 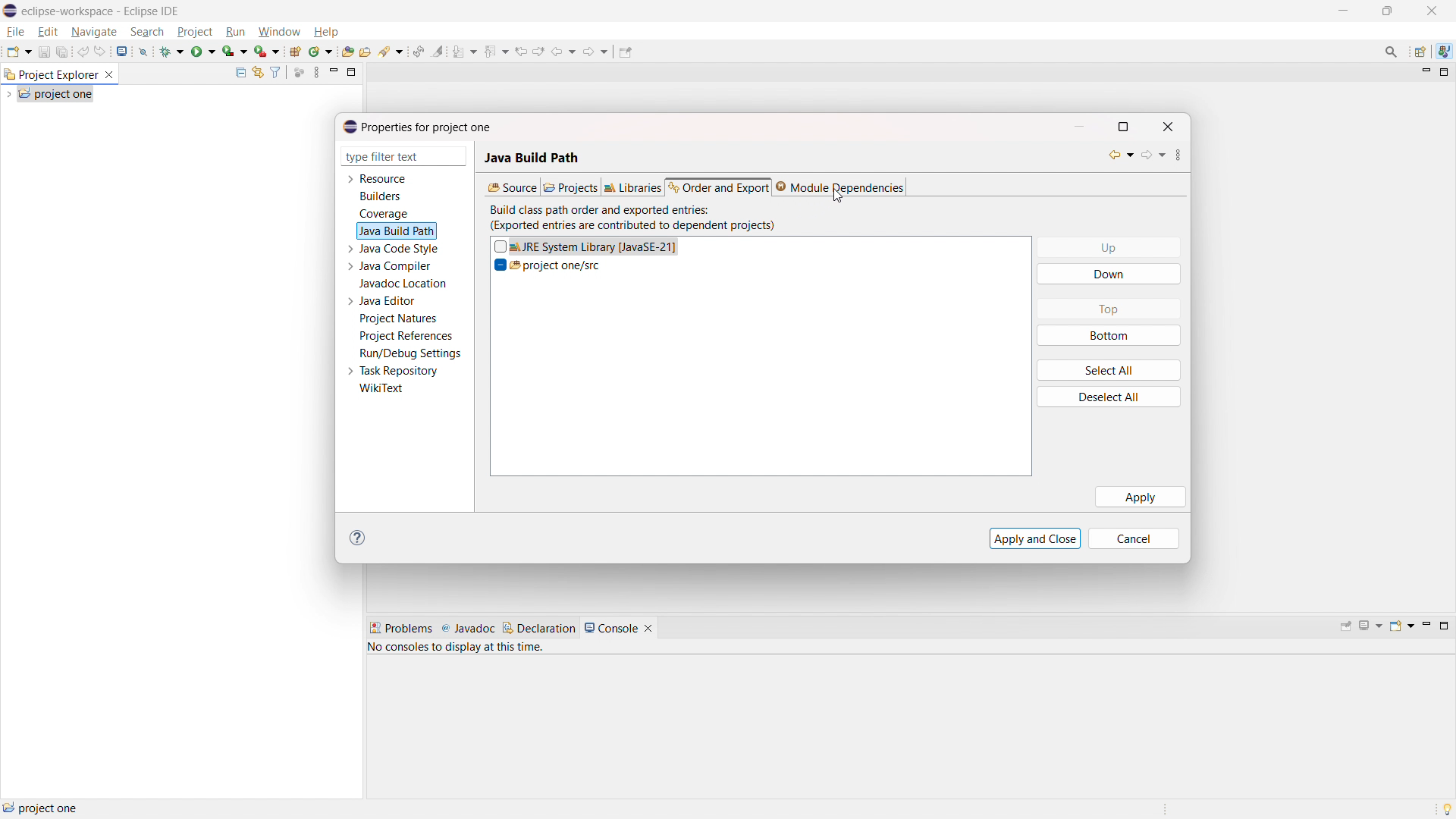 What do you see at coordinates (203, 50) in the screenshot?
I see `run` at bounding box center [203, 50].